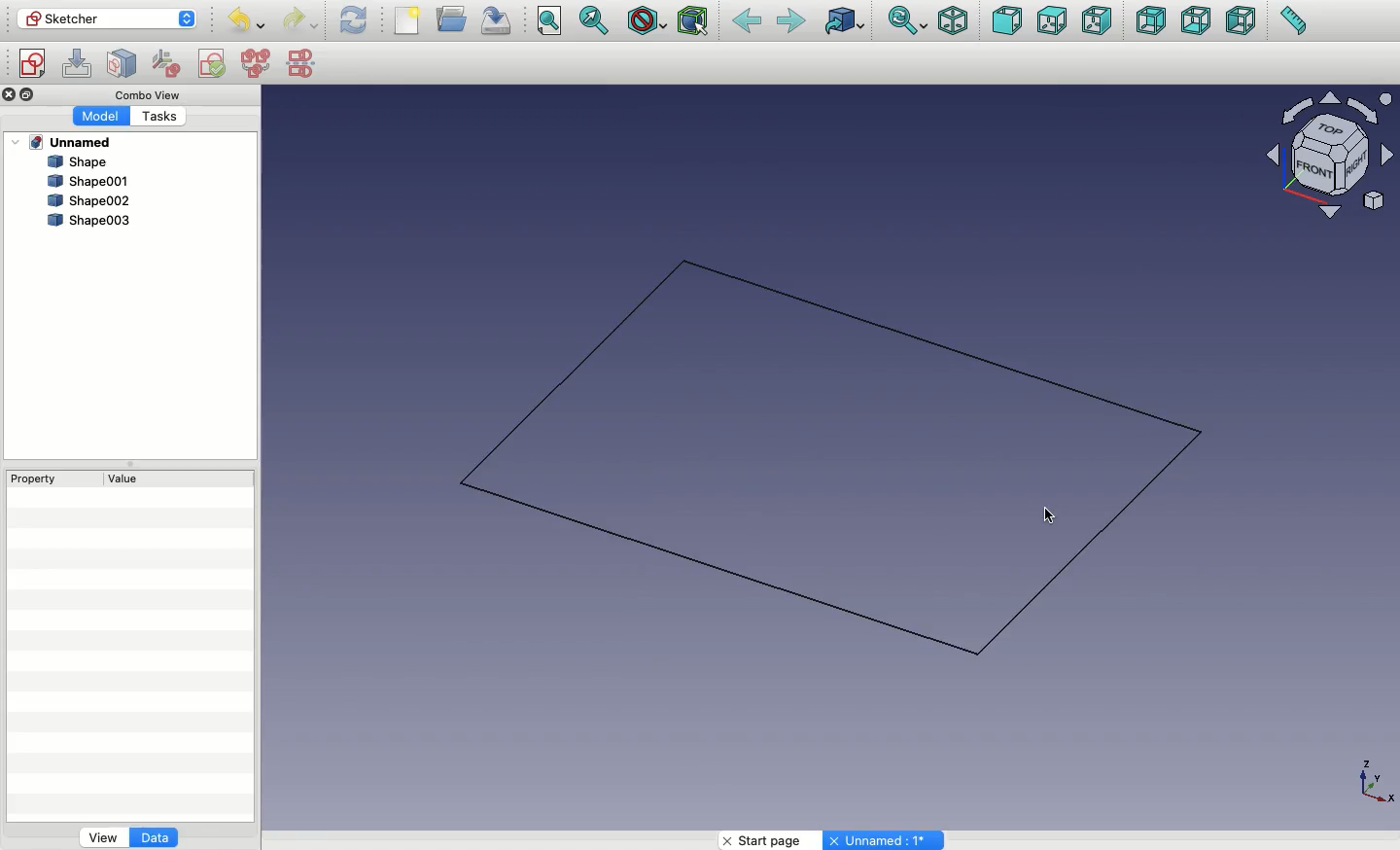 The image size is (1400, 850). I want to click on Edit sketch, so click(78, 61).